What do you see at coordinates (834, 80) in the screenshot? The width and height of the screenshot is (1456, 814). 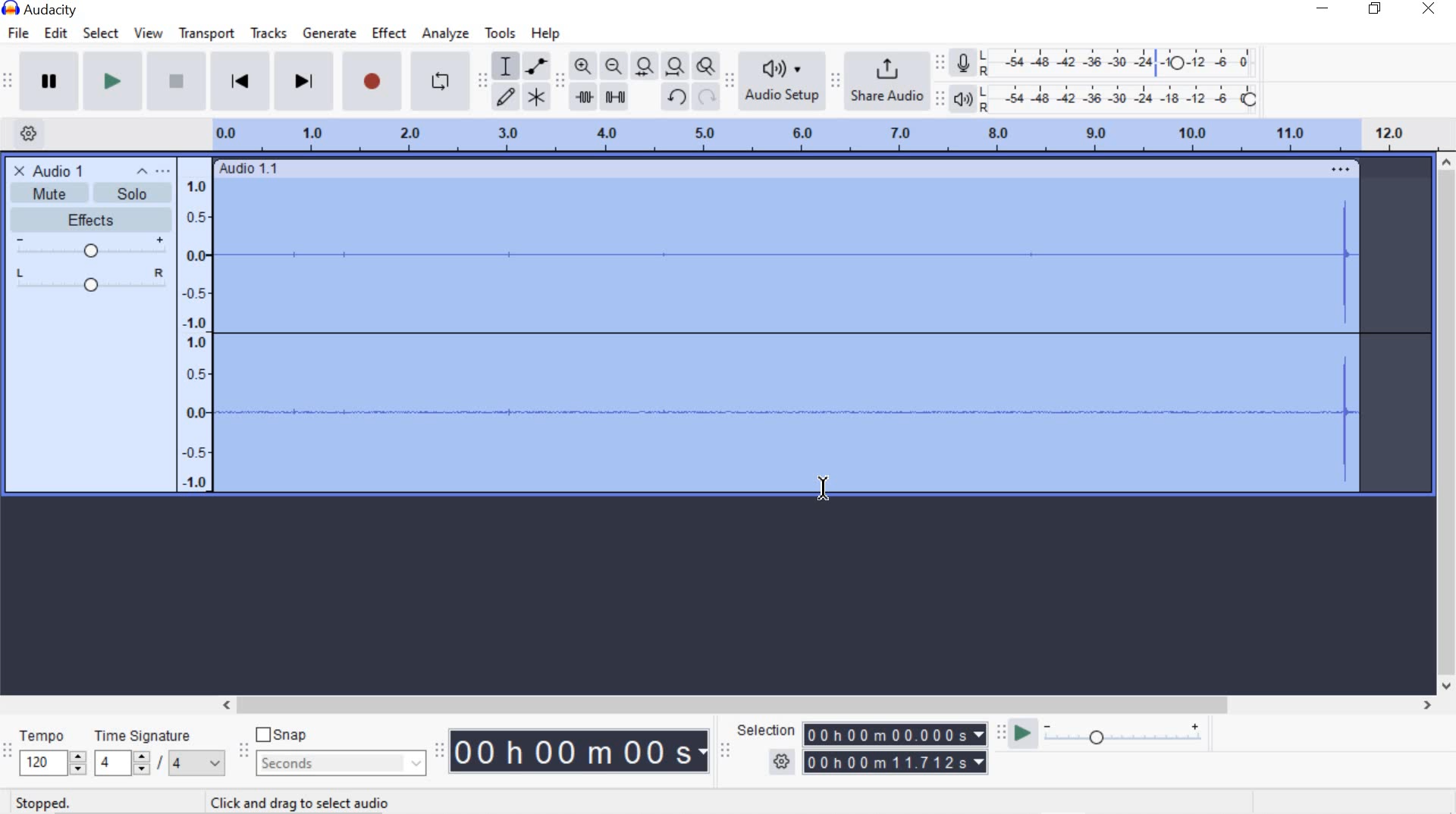 I see `Share audio toolbar` at bounding box center [834, 80].